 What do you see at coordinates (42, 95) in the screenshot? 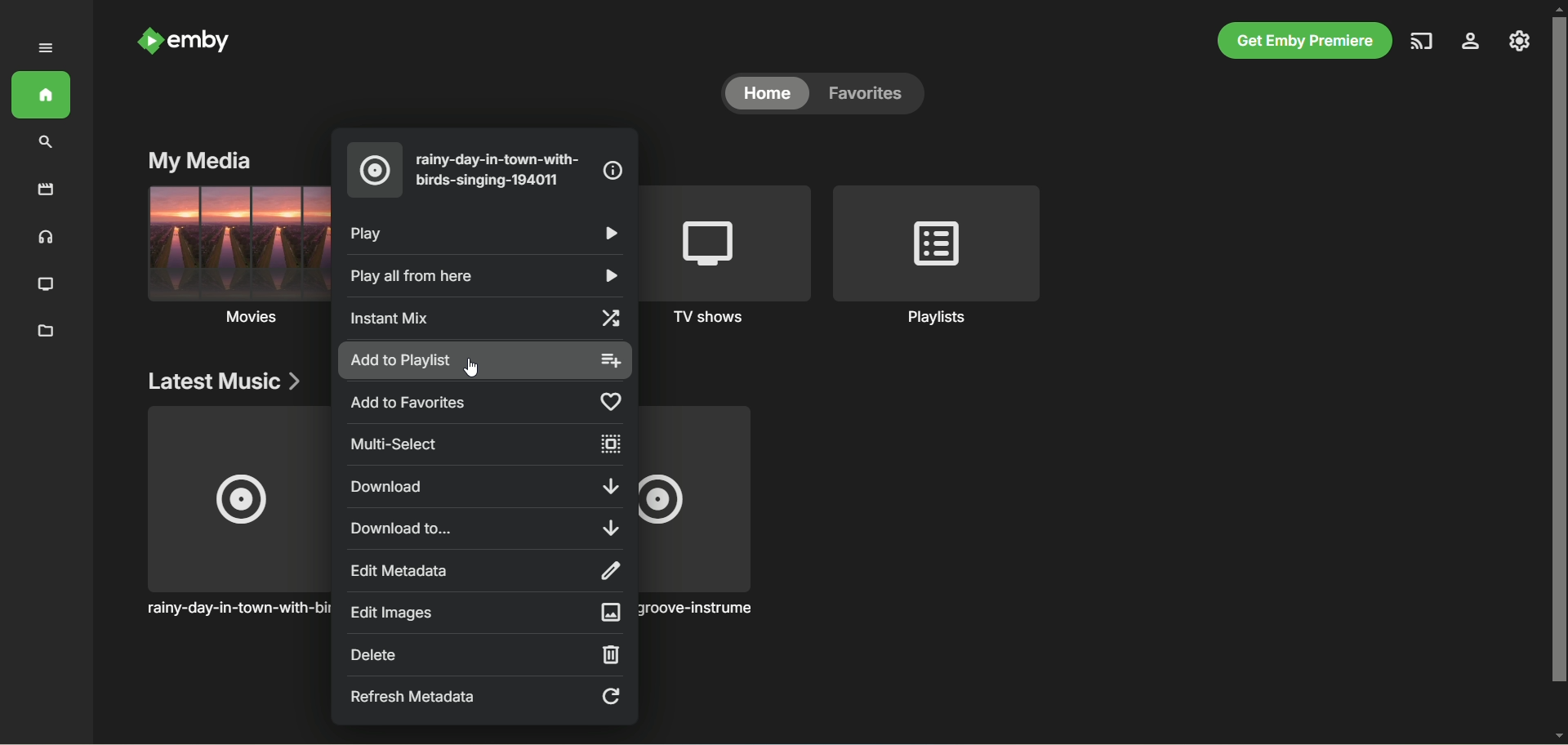
I see `home` at bounding box center [42, 95].